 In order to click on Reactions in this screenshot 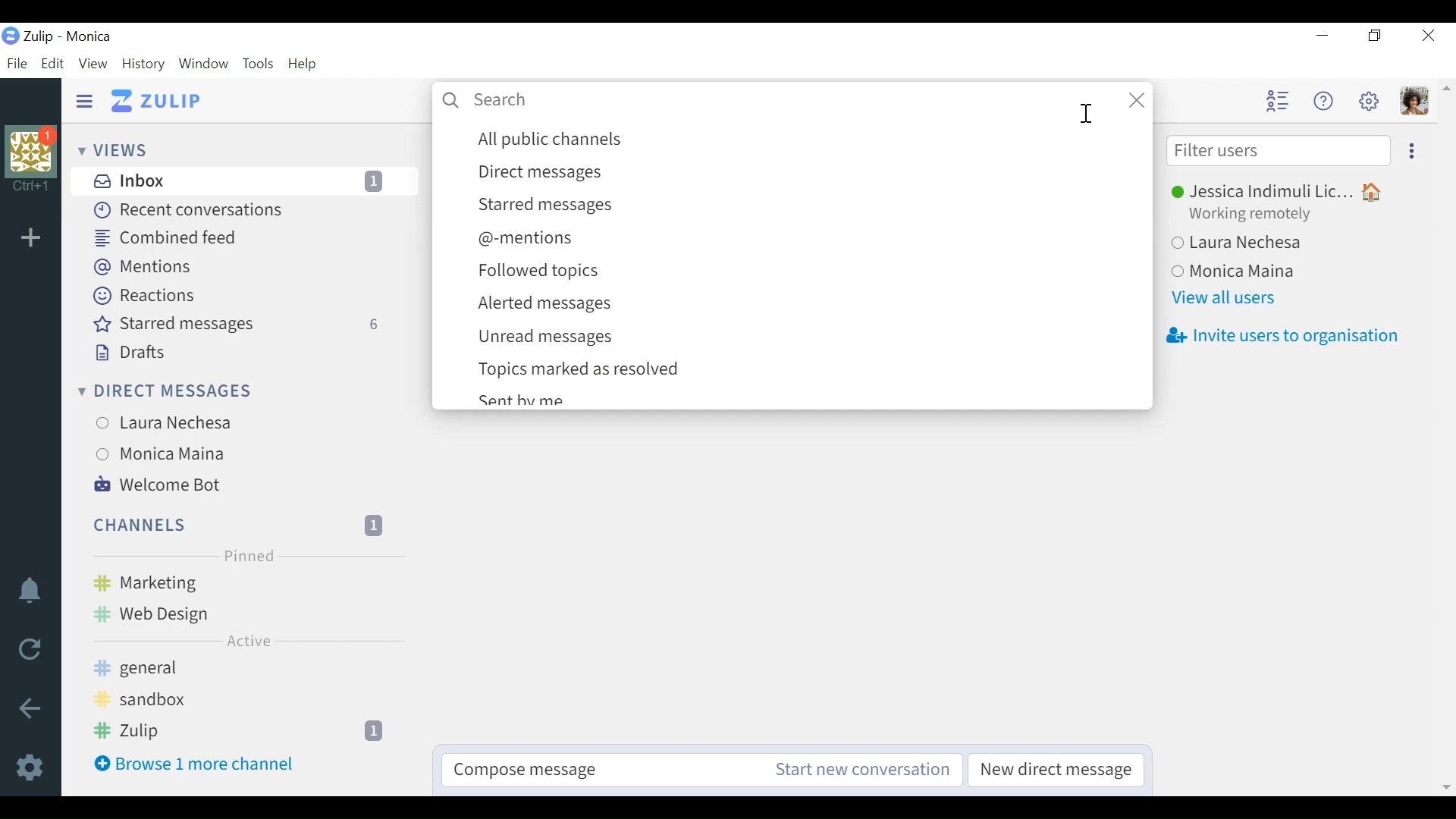, I will do `click(143, 296)`.